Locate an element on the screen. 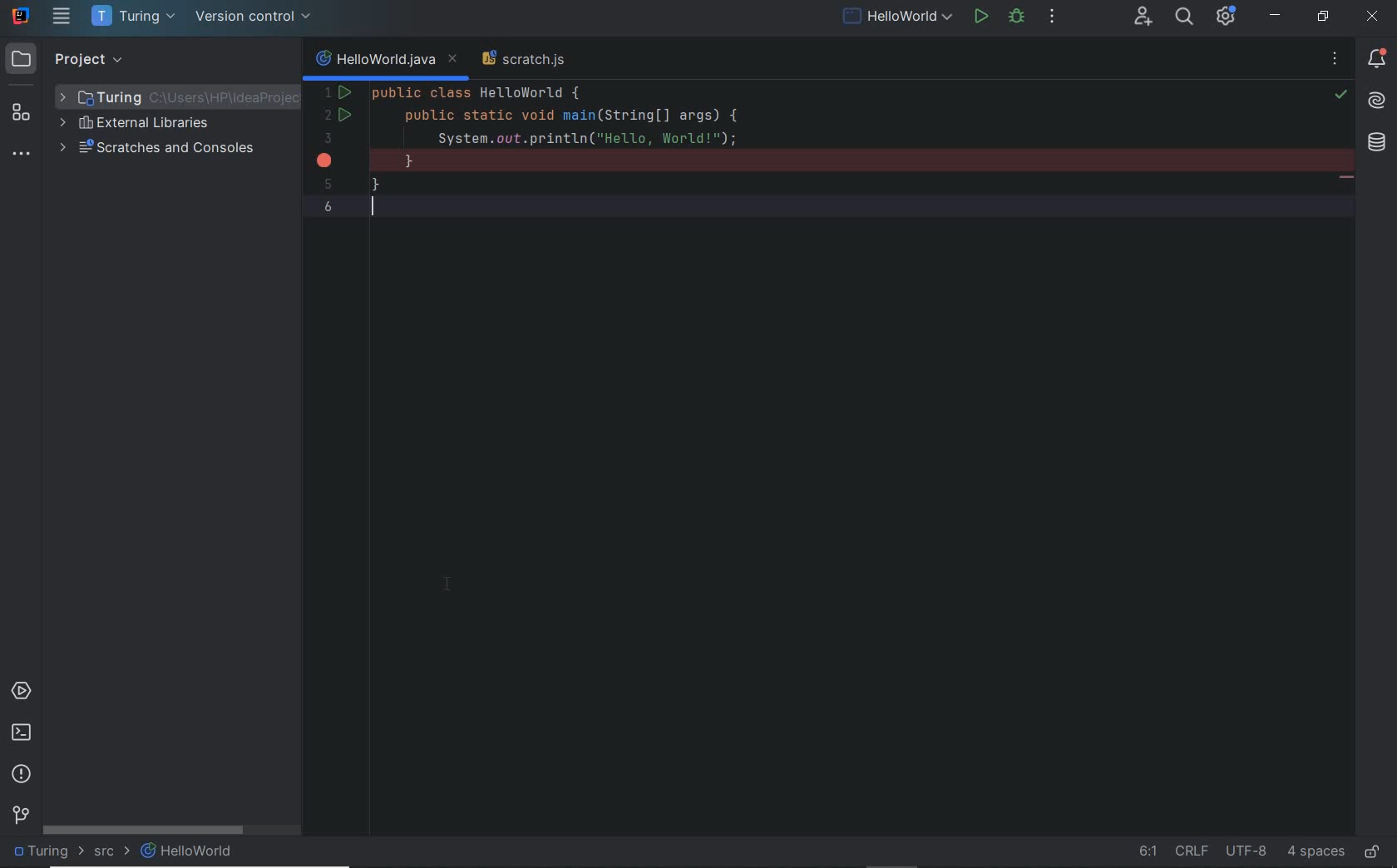  file name is located at coordinates (373, 61).